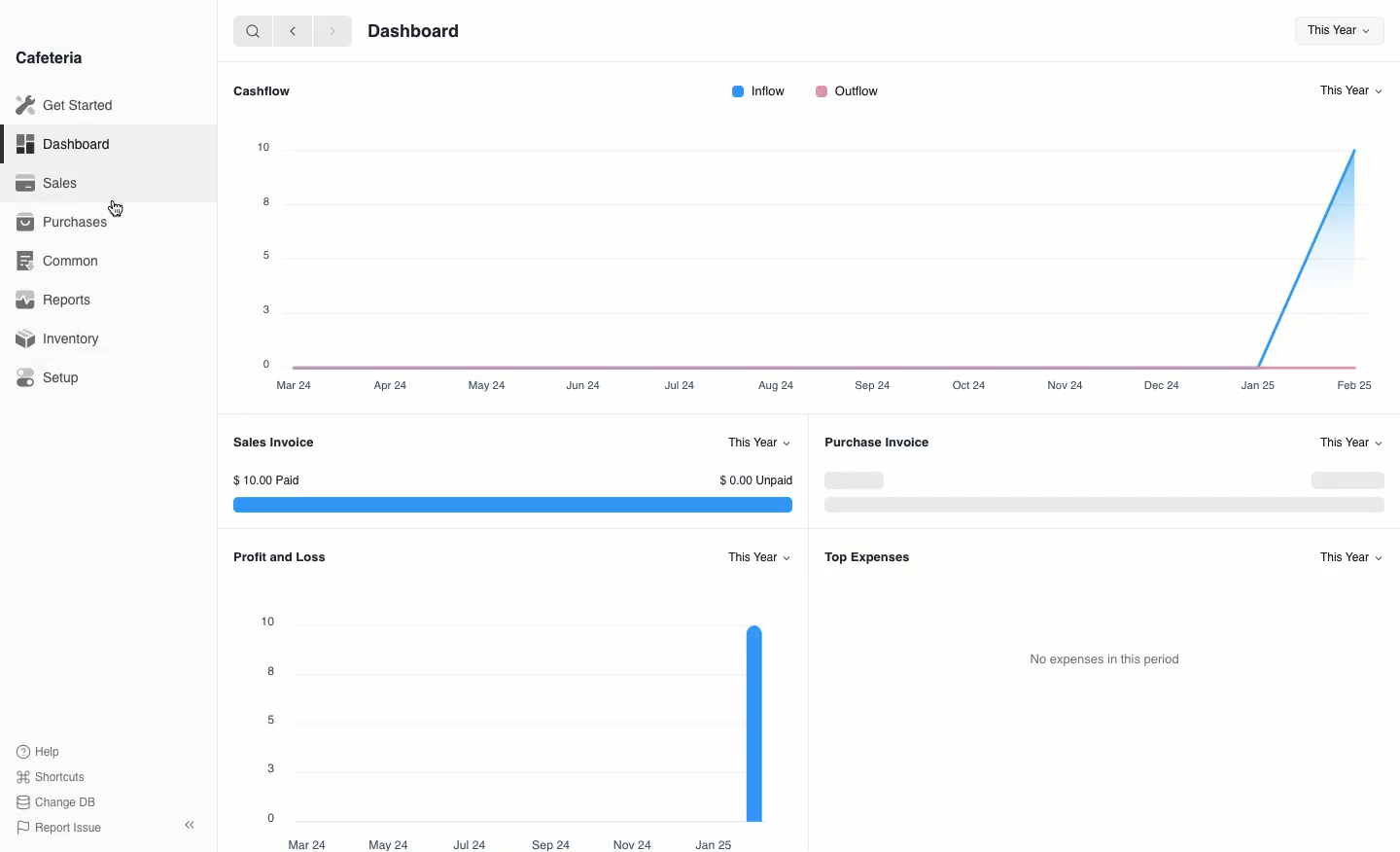 Image resolution: width=1400 pixels, height=852 pixels. Describe the element at coordinates (714, 843) in the screenshot. I see `Jan 25` at that location.